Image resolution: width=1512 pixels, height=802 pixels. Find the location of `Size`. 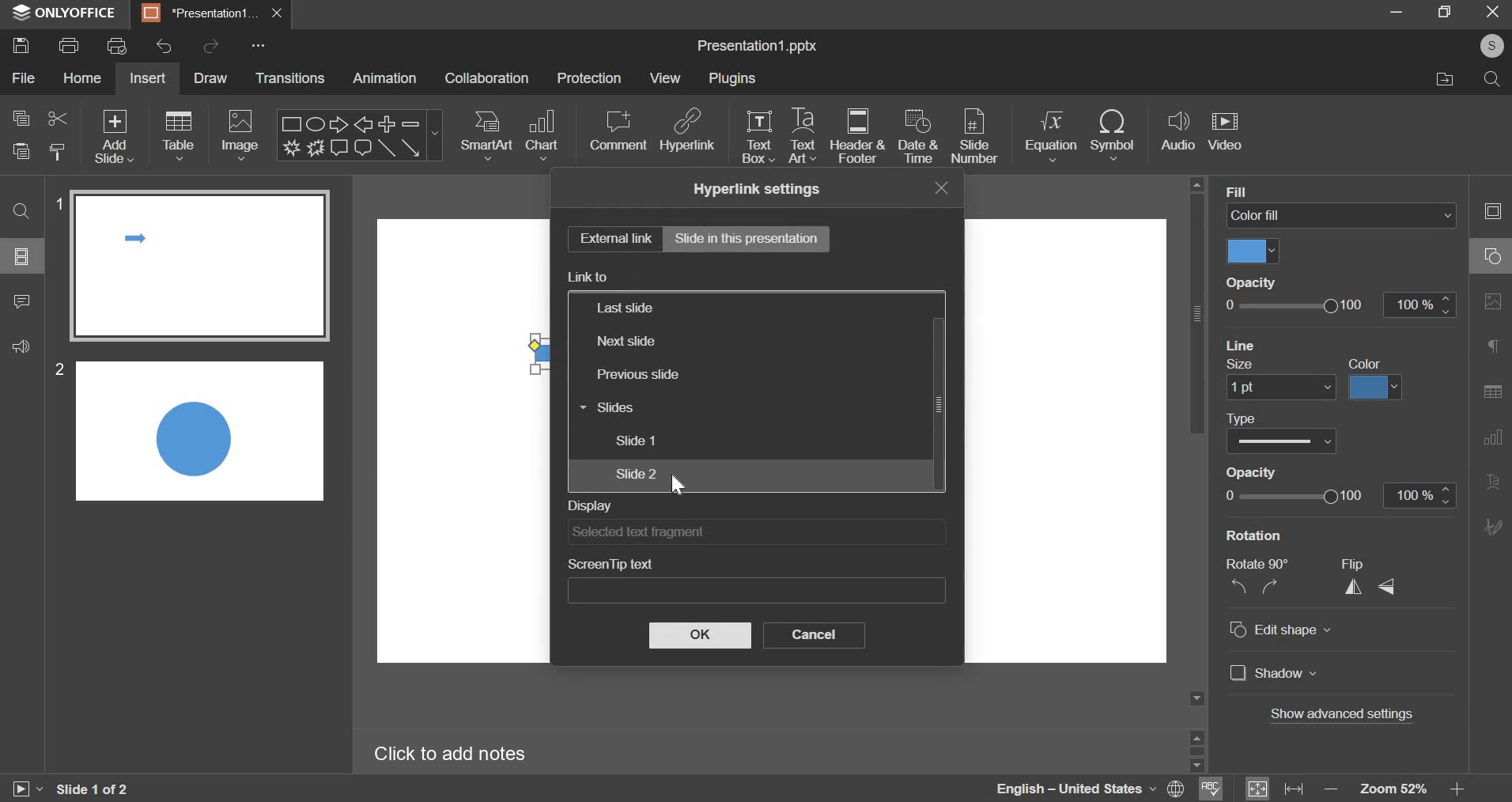

Size is located at coordinates (1242, 365).